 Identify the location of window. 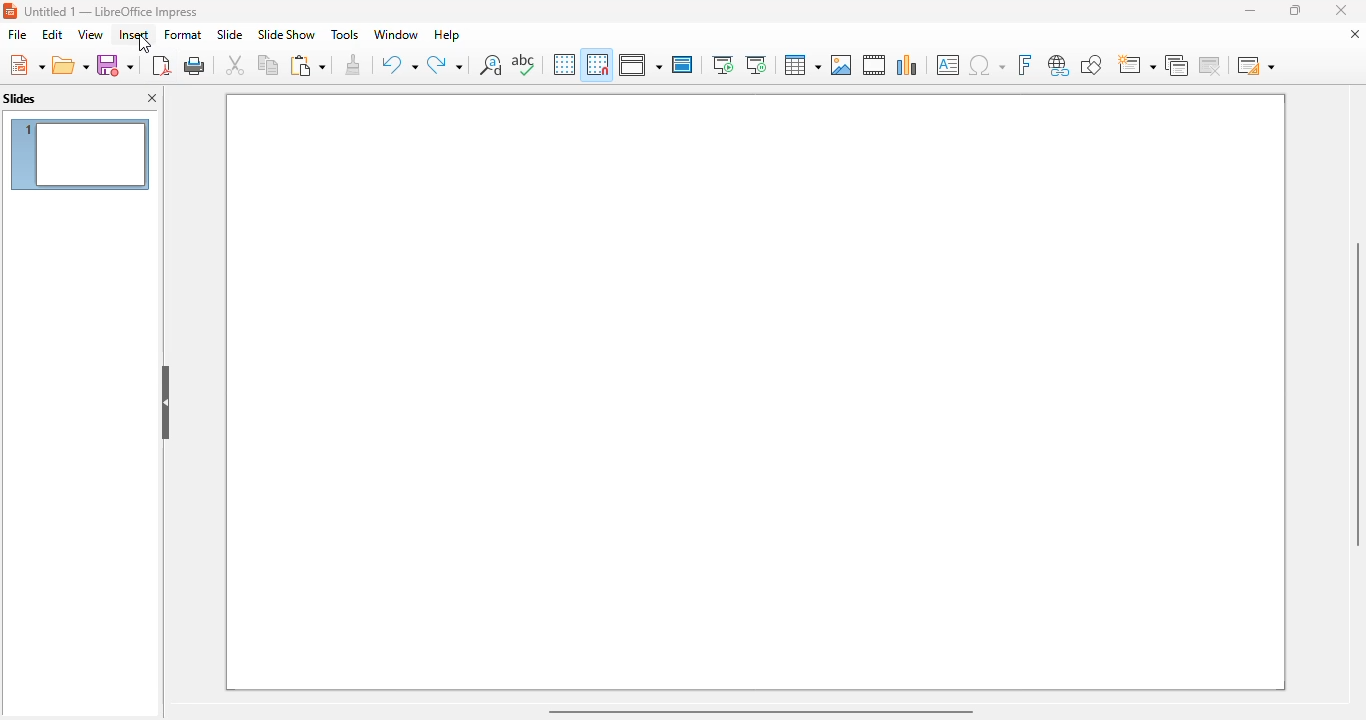
(395, 34).